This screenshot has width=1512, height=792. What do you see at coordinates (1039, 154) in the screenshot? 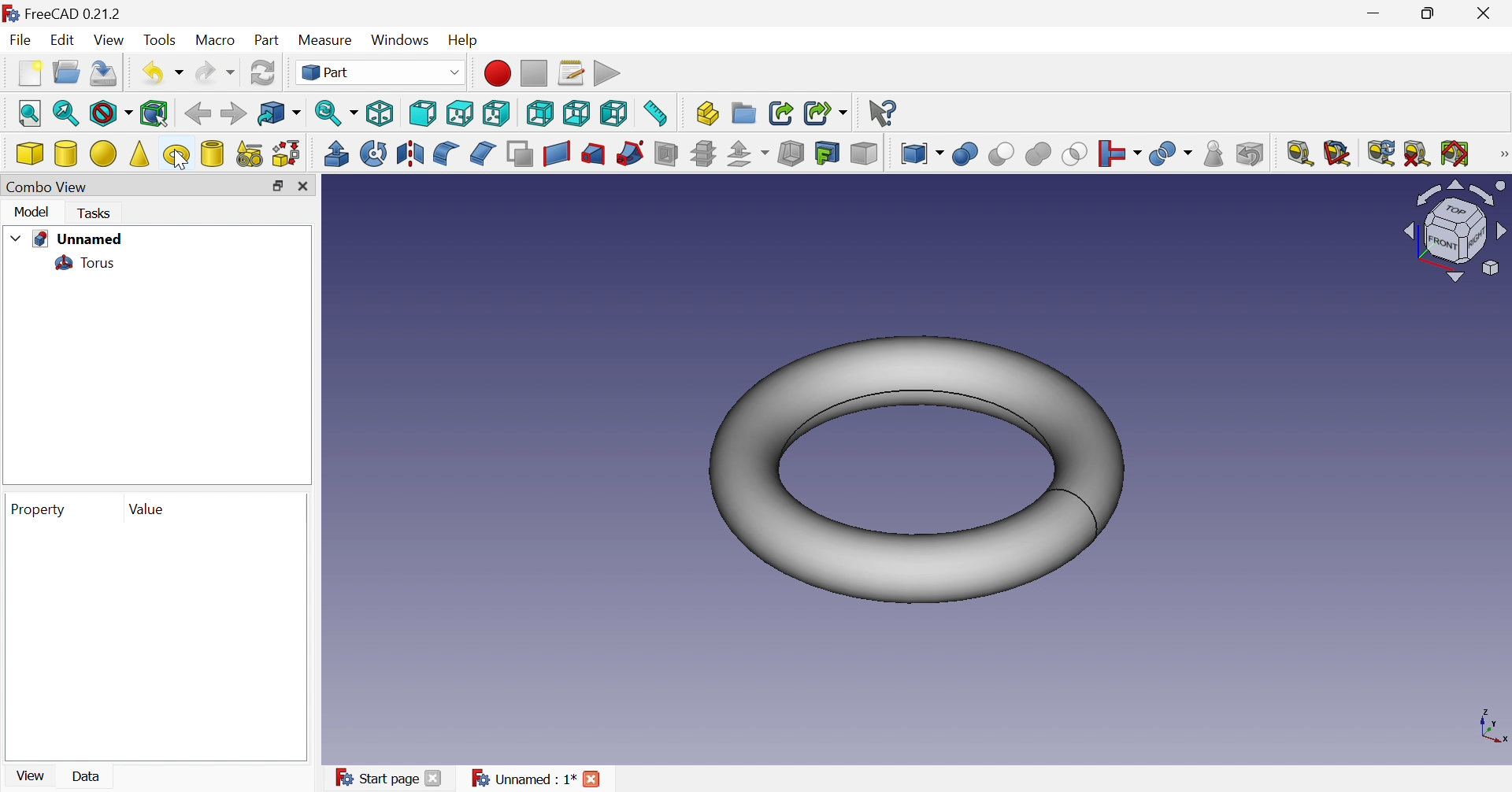
I see `Union` at bounding box center [1039, 154].